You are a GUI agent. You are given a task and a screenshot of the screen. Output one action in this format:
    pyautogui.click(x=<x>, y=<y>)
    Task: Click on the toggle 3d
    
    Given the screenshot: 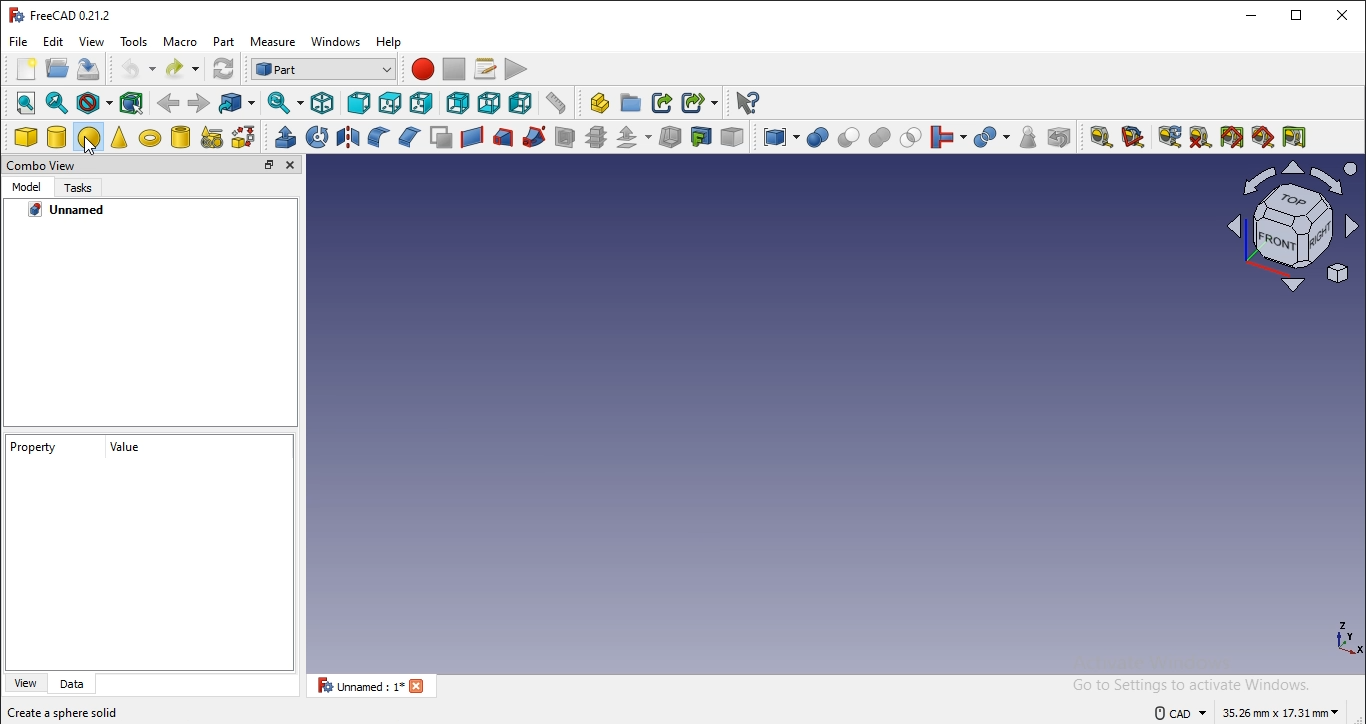 What is the action you would take?
    pyautogui.click(x=1264, y=137)
    